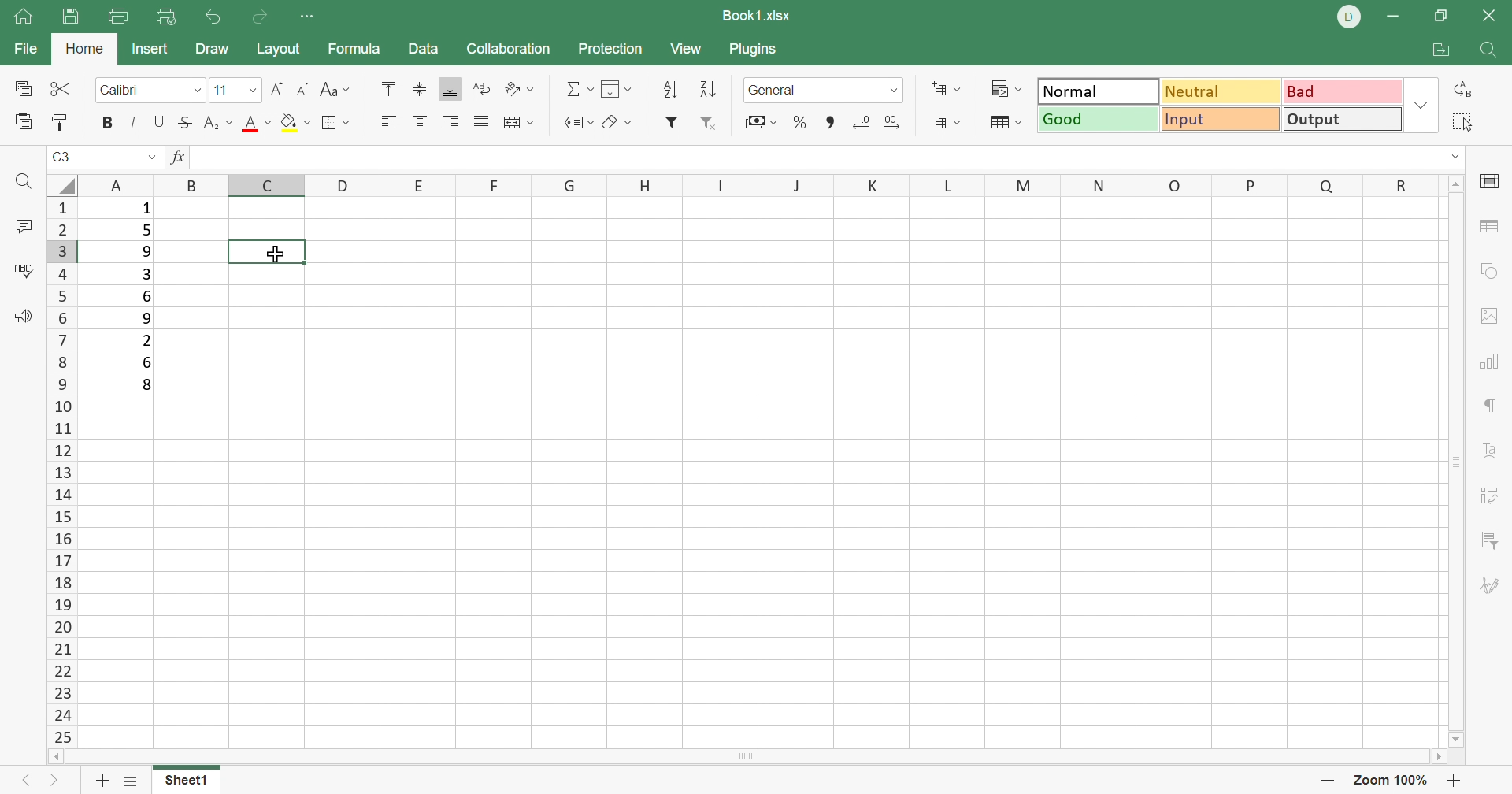 Image resolution: width=1512 pixels, height=794 pixels. I want to click on Open file location, so click(1440, 50).